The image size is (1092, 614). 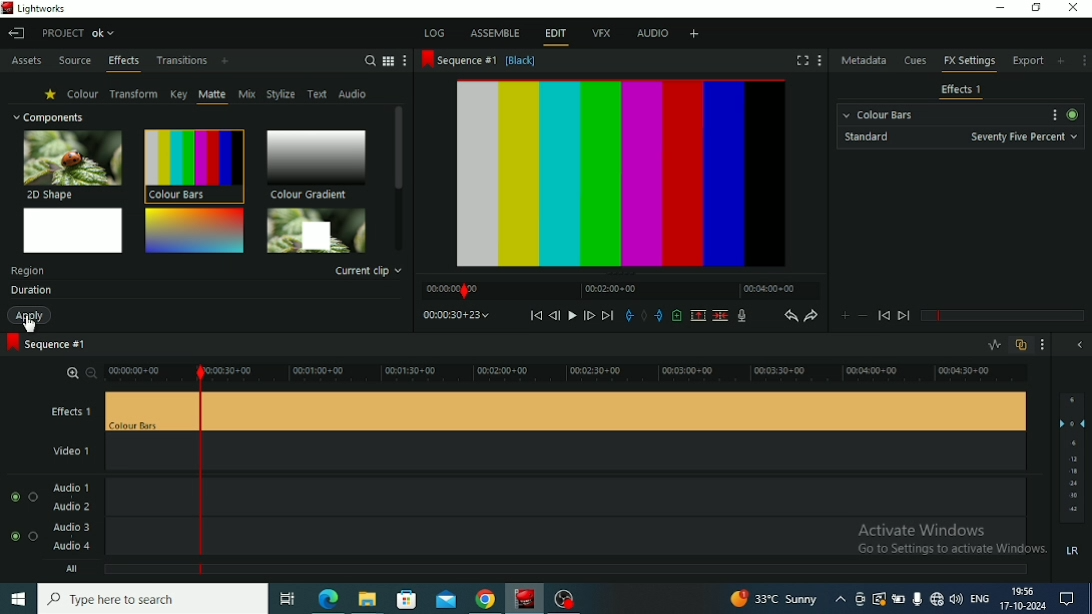 What do you see at coordinates (958, 598) in the screenshot?
I see `speakers` at bounding box center [958, 598].